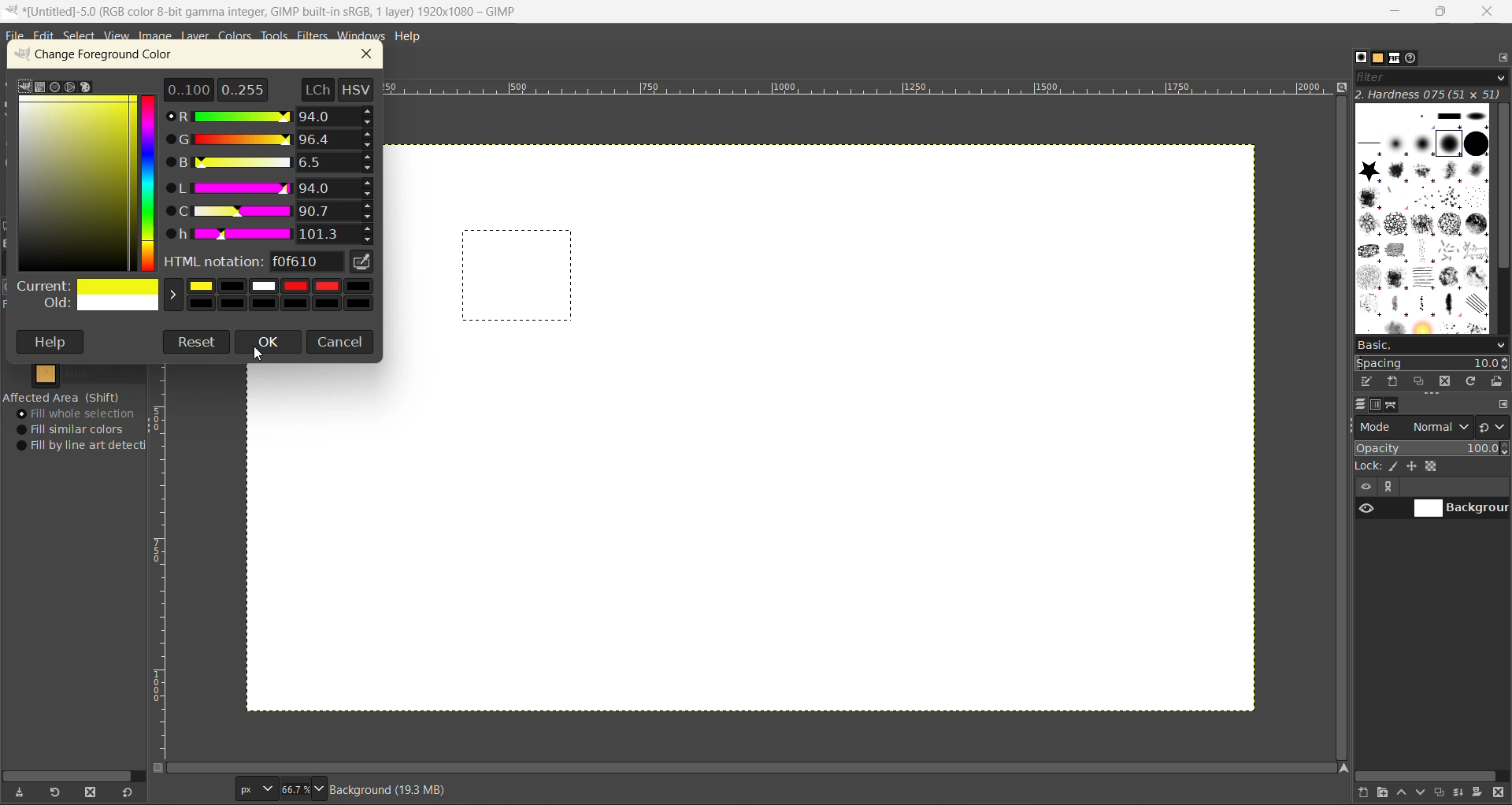  What do you see at coordinates (197, 342) in the screenshot?
I see `reset` at bounding box center [197, 342].